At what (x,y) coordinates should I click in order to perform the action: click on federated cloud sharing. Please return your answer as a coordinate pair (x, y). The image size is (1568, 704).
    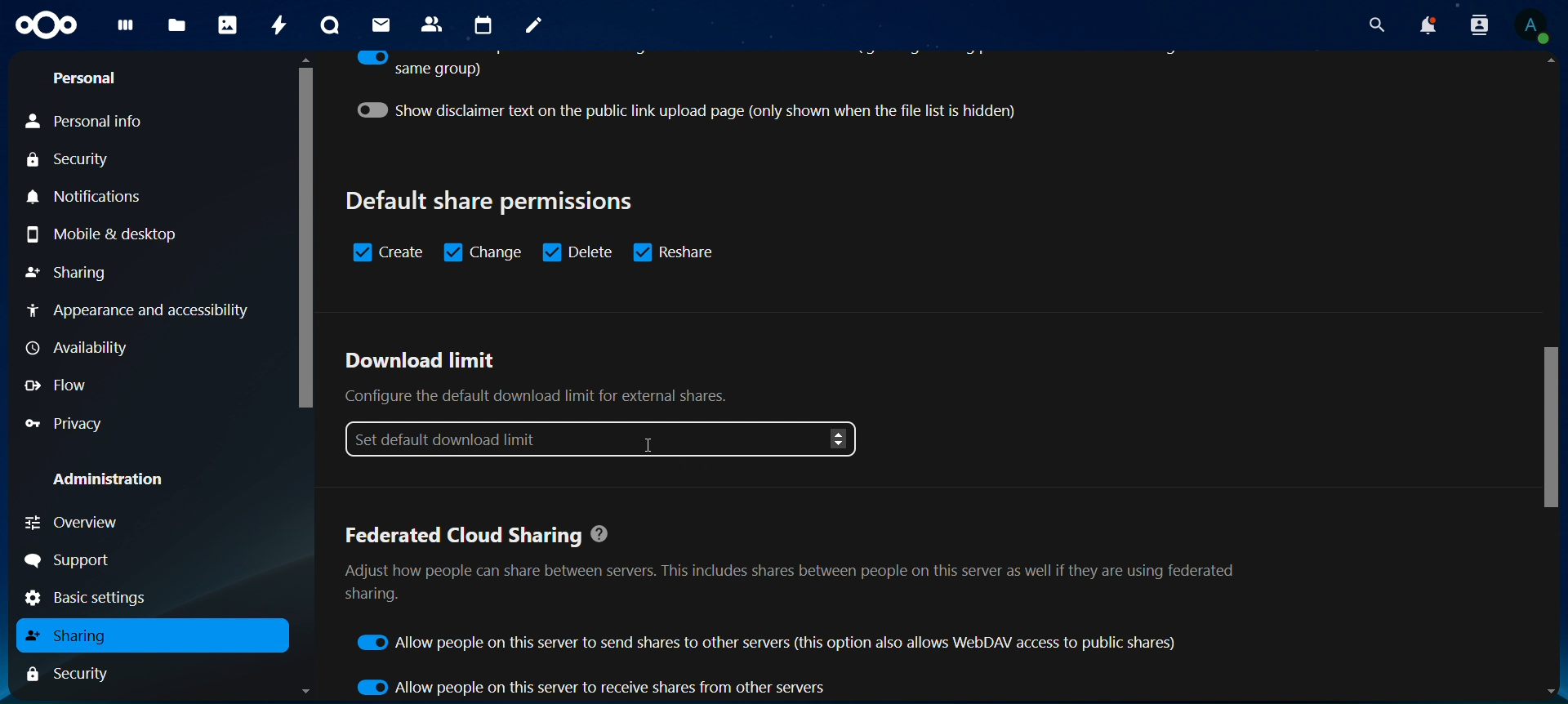
    Looking at the image, I should click on (792, 570).